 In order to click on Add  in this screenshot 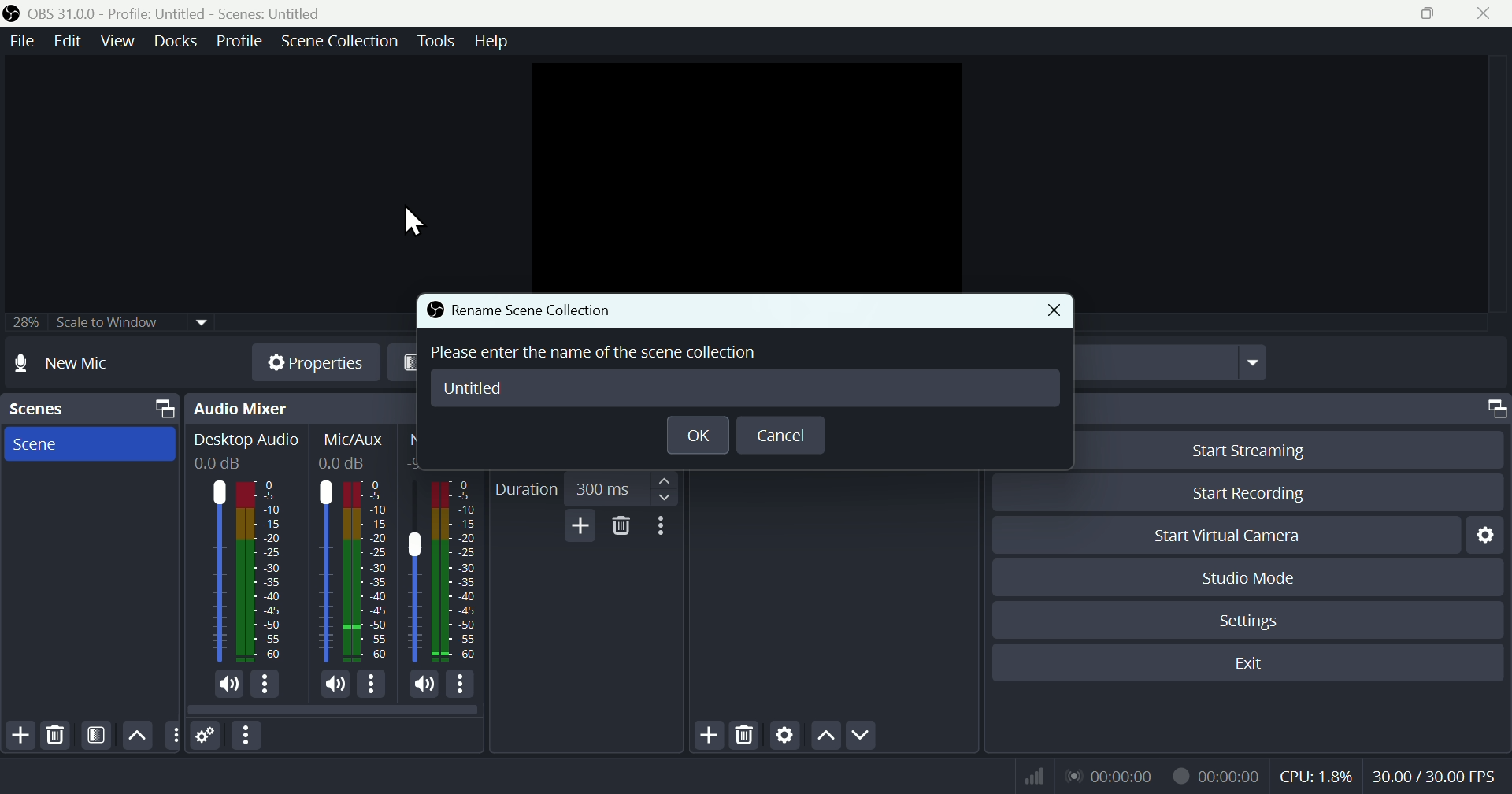, I will do `click(576, 528)`.